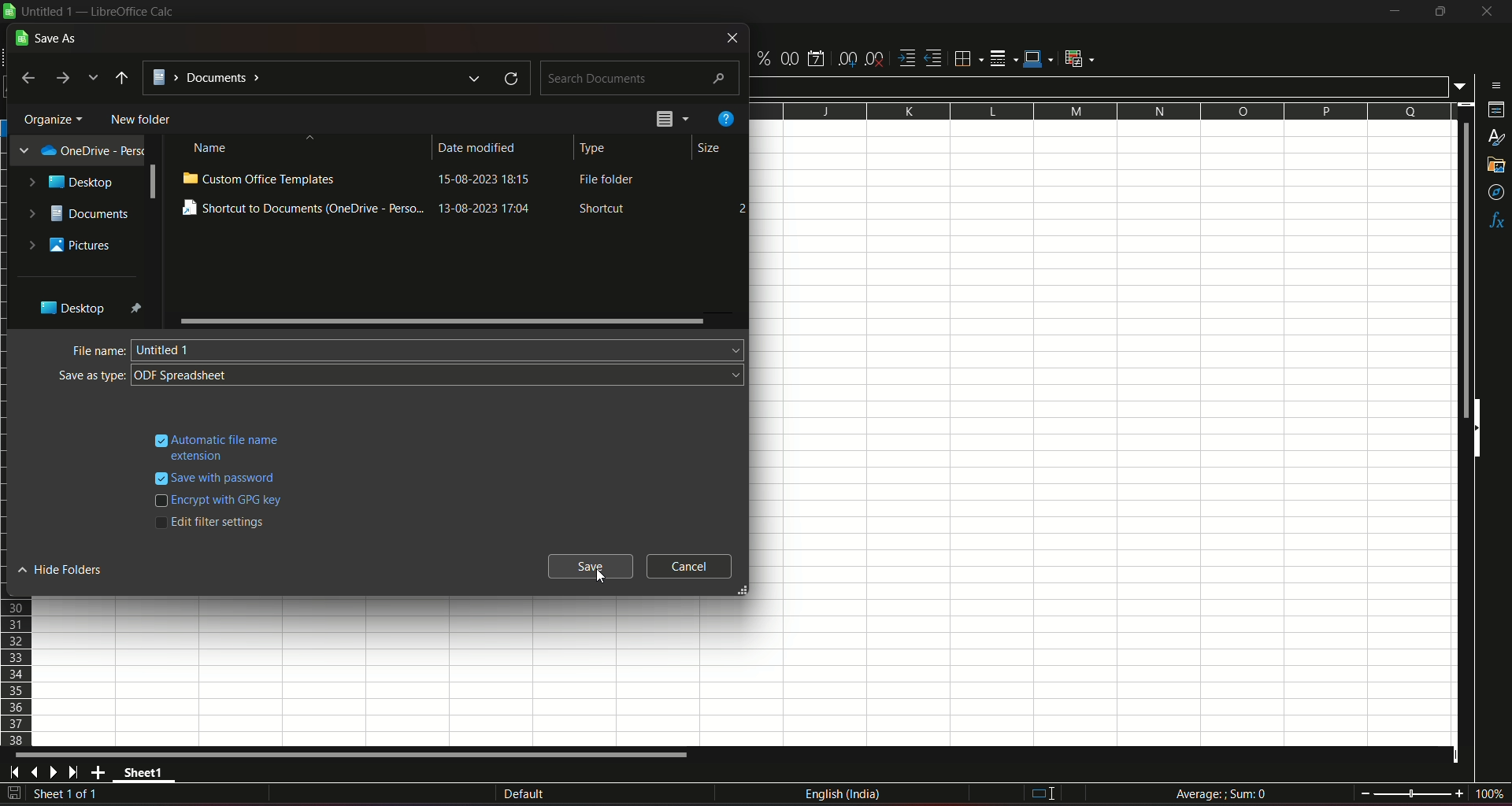 This screenshot has height=806, width=1512. What do you see at coordinates (98, 772) in the screenshot?
I see `add new sheet` at bounding box center [98, 772].